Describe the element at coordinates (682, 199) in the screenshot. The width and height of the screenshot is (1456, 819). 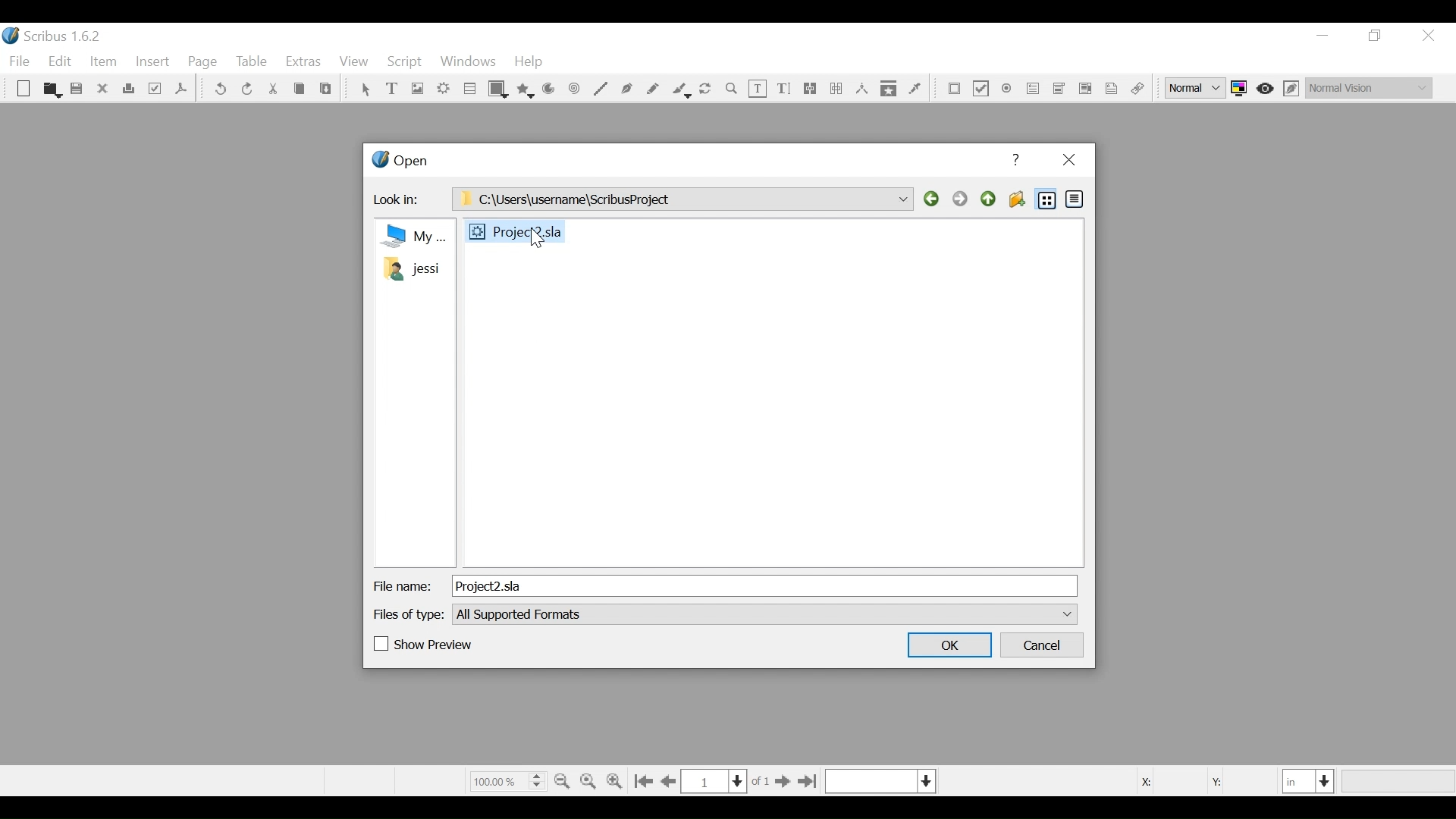
I see `C:\Users` at that location.